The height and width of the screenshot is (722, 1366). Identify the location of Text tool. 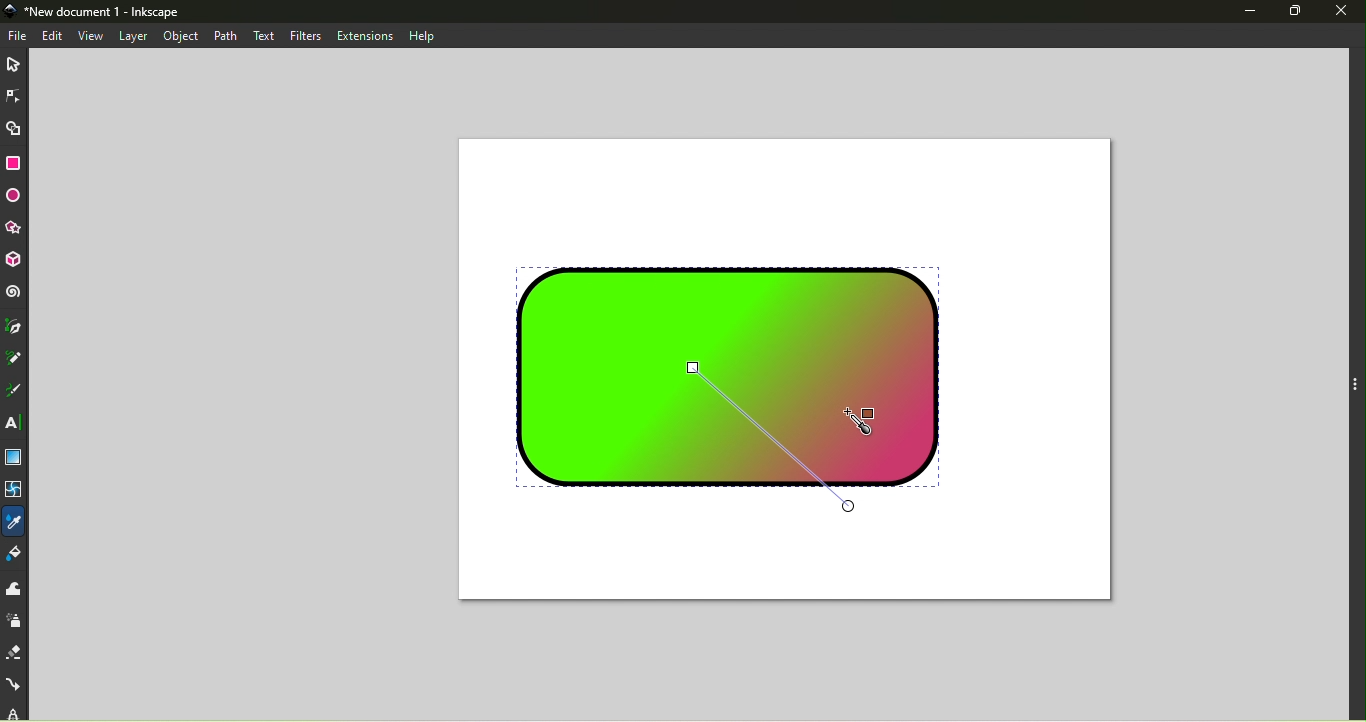
(15, 424).